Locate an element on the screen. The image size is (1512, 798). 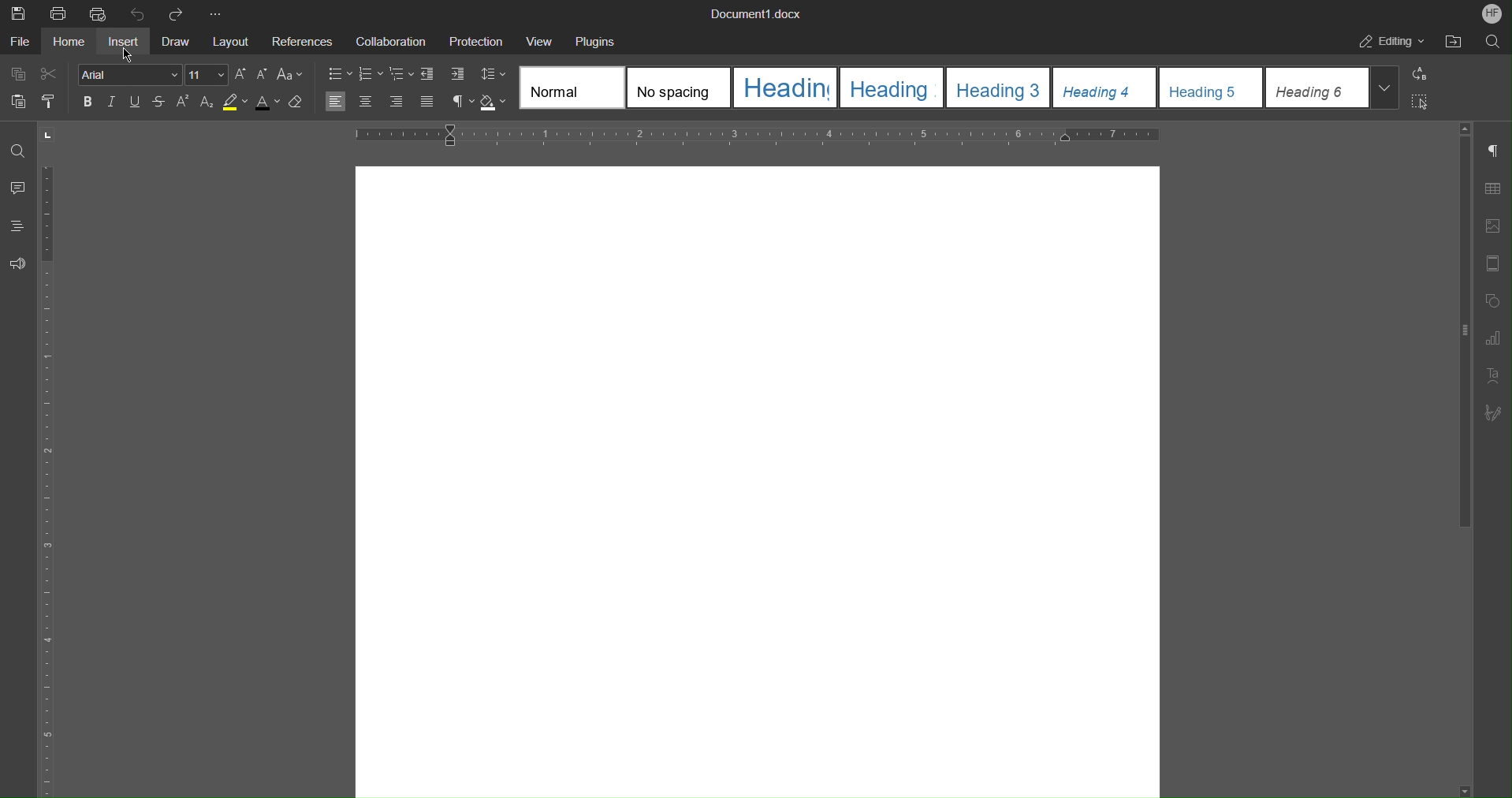
Select All is located at coordinates (1421, 102).